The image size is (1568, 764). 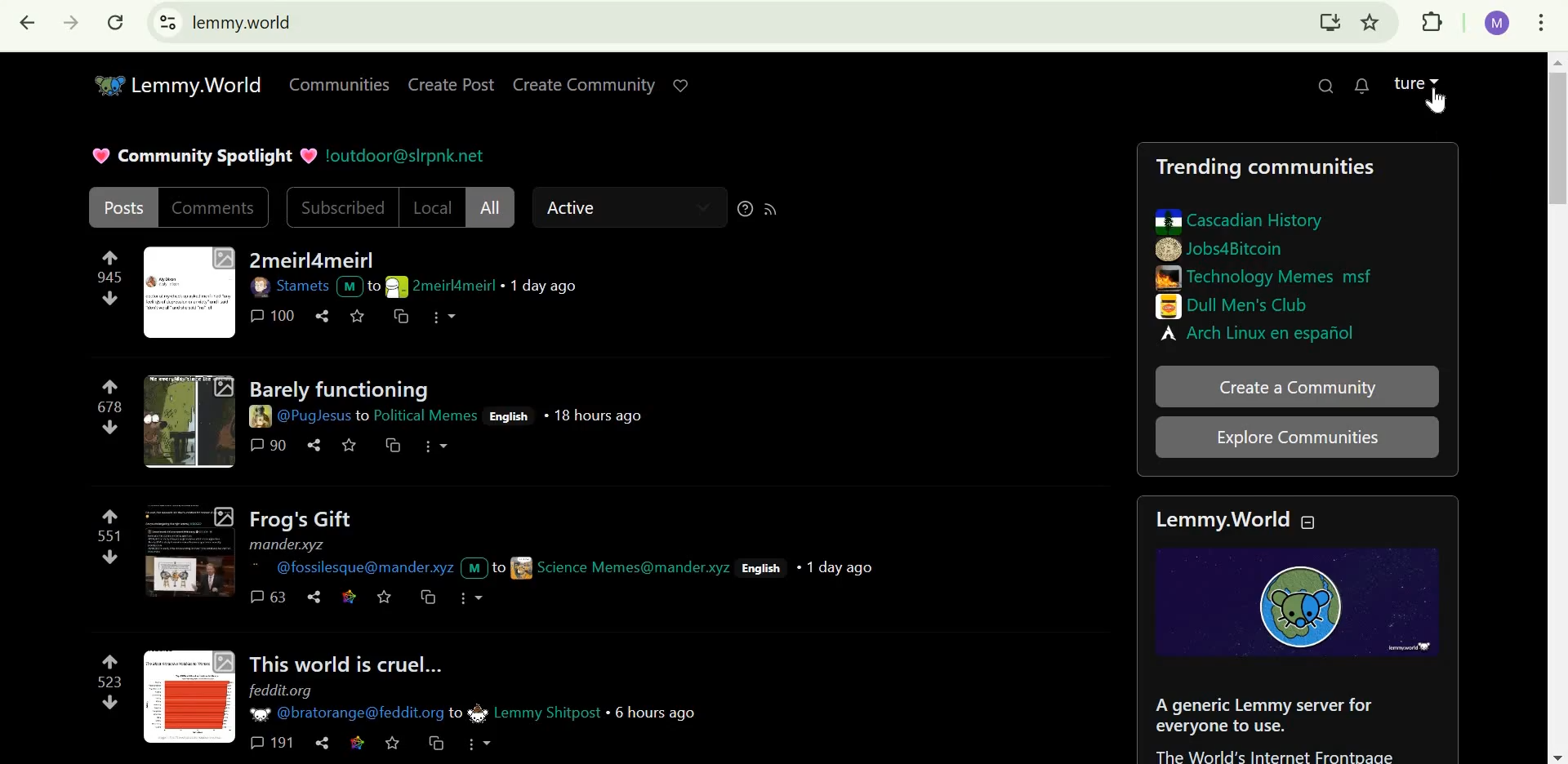 I want to click on create post, so click(x=454, y=84).